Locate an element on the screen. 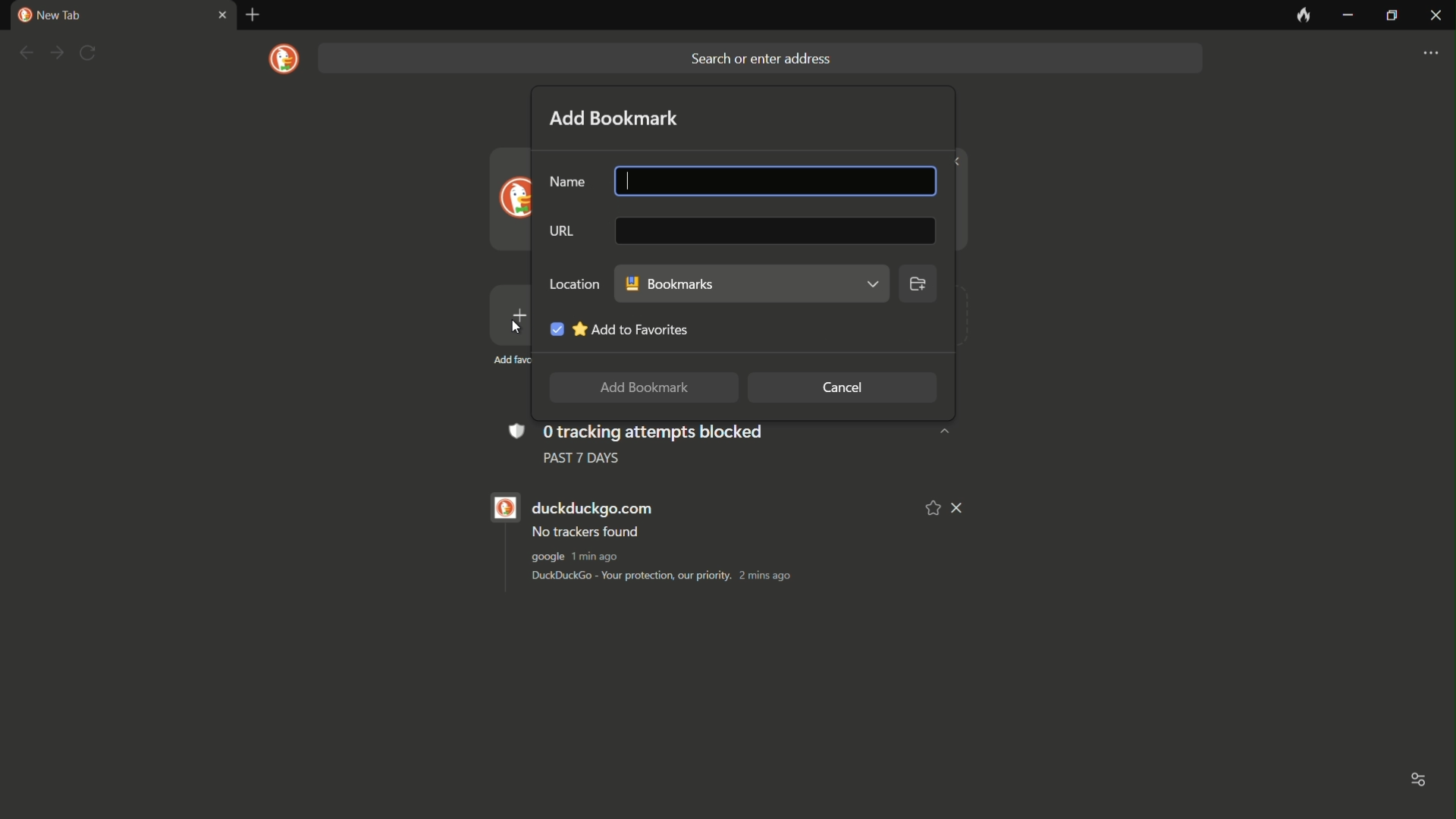 The height and width of the screenshot is (819, 1456). remove from list is located at coordinates (959, 508).